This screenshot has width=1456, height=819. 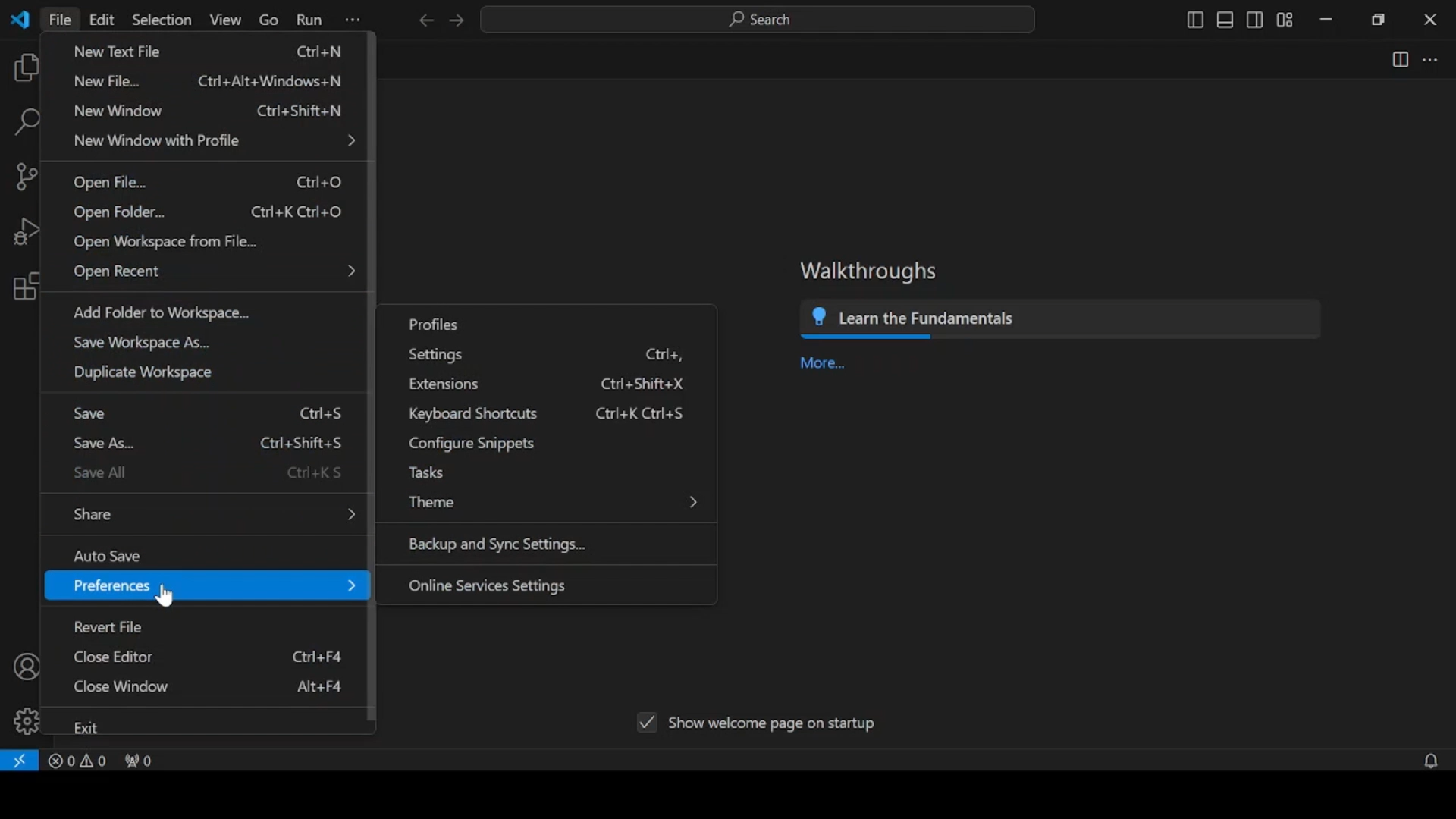 I want to click on manage, so click(x=27, y=722).